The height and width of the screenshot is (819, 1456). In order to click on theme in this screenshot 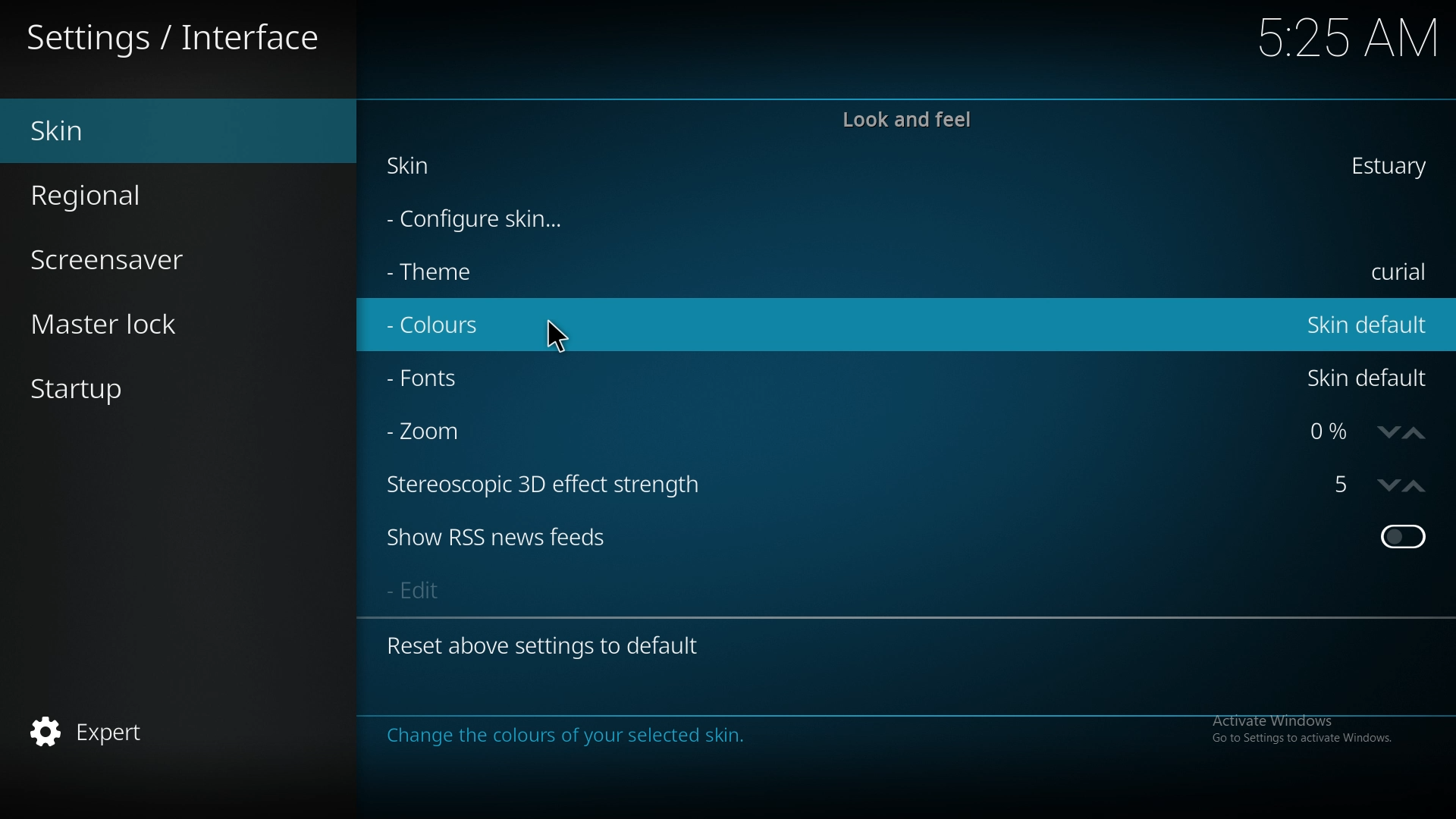, I will do `click(549, 273)`.